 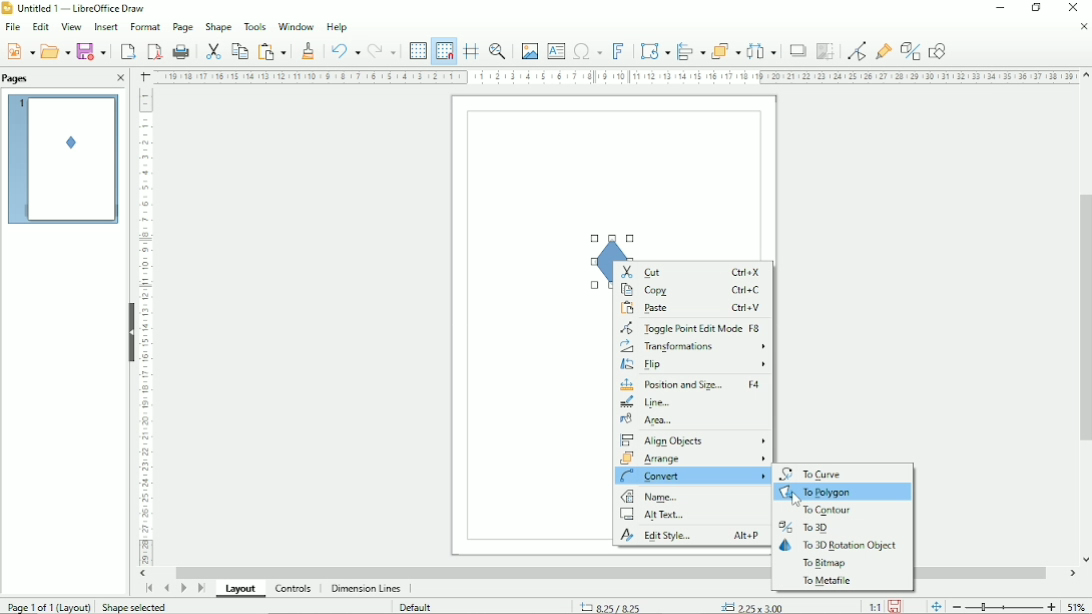 I want to click on Open, so click(x=55, y=50).